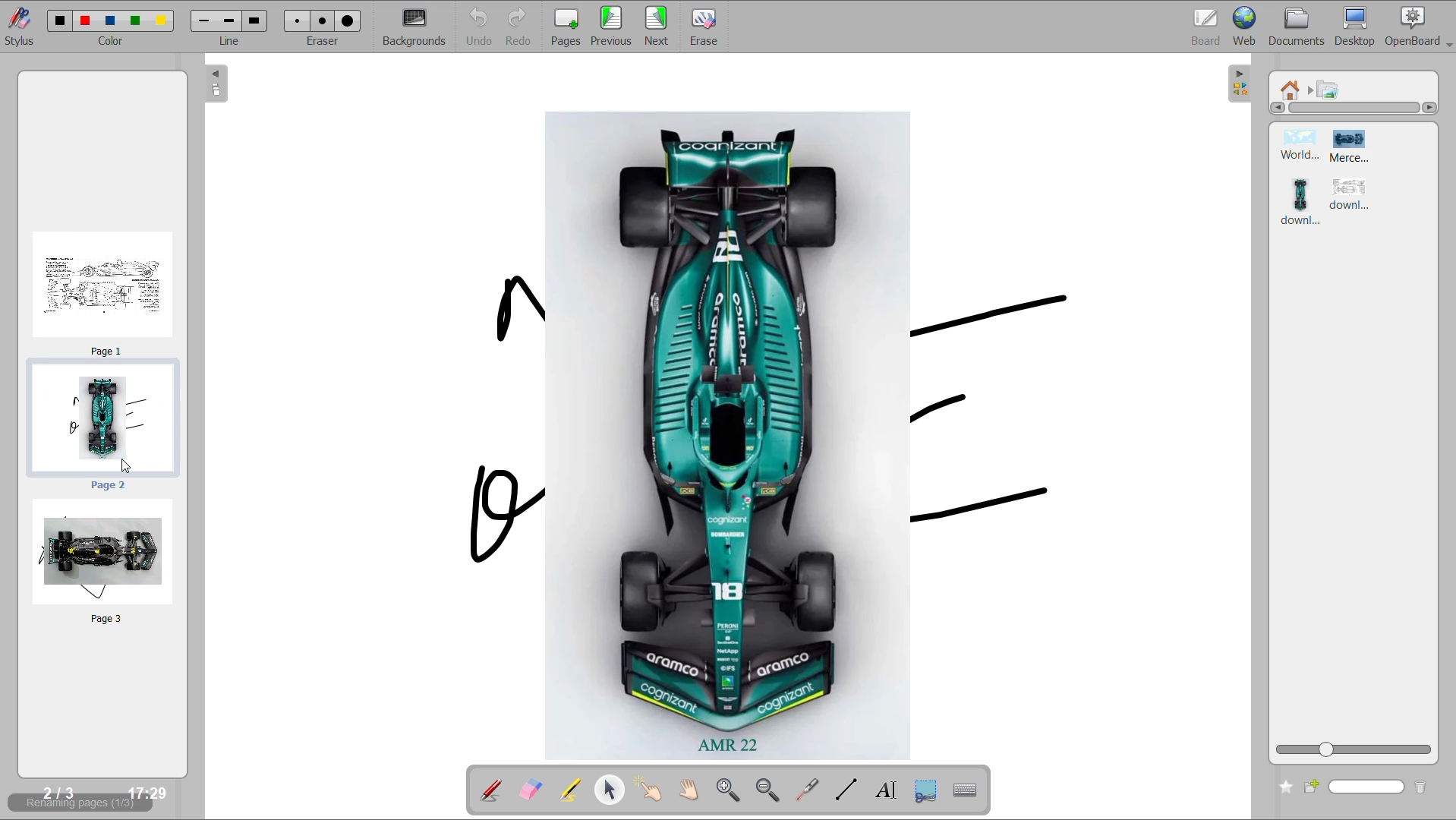  I want to click on Large eraser, so click(348, 20).